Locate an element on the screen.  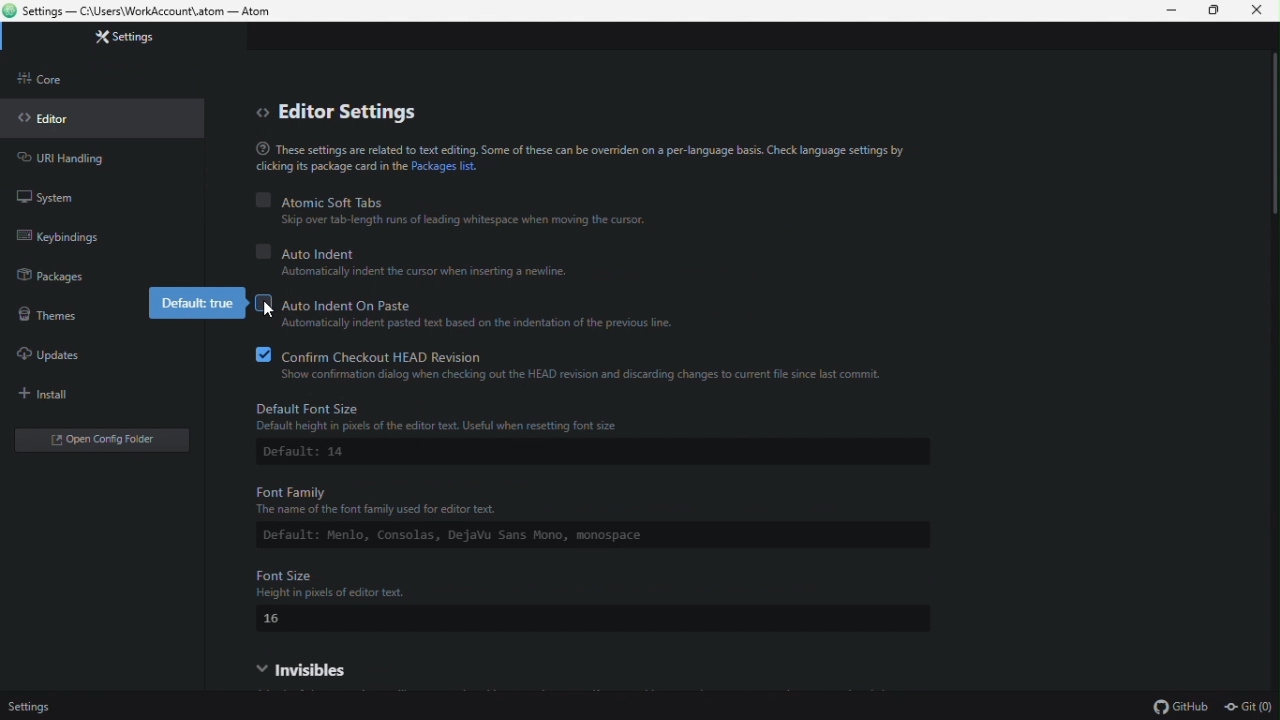
Default: 14 is located at coordinates (315, 454).